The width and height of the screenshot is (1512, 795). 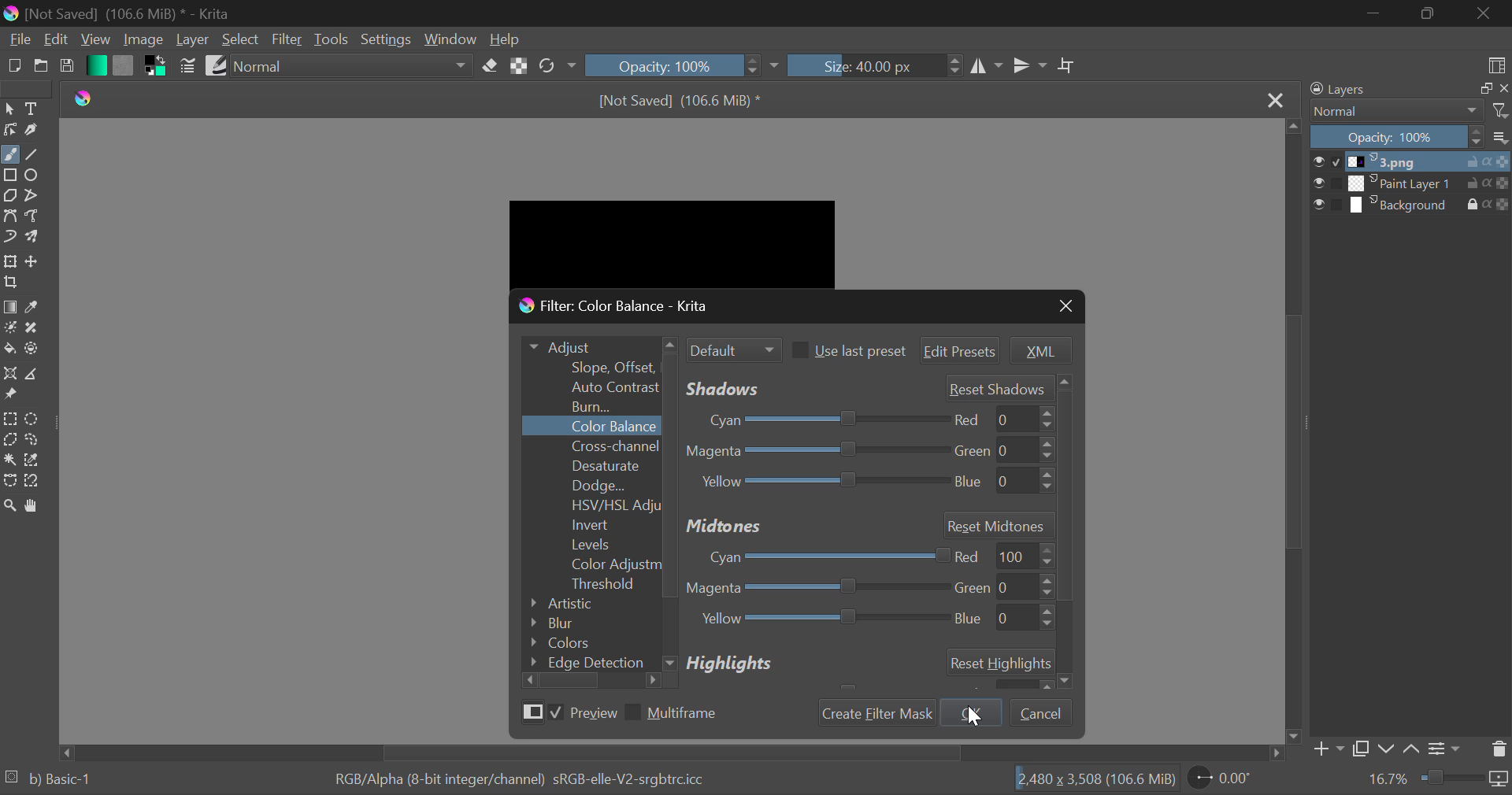 What do you see at coordinates (591, 446) in the screenshot?
I see `Cross-channel` at bounding box center [591, 446].